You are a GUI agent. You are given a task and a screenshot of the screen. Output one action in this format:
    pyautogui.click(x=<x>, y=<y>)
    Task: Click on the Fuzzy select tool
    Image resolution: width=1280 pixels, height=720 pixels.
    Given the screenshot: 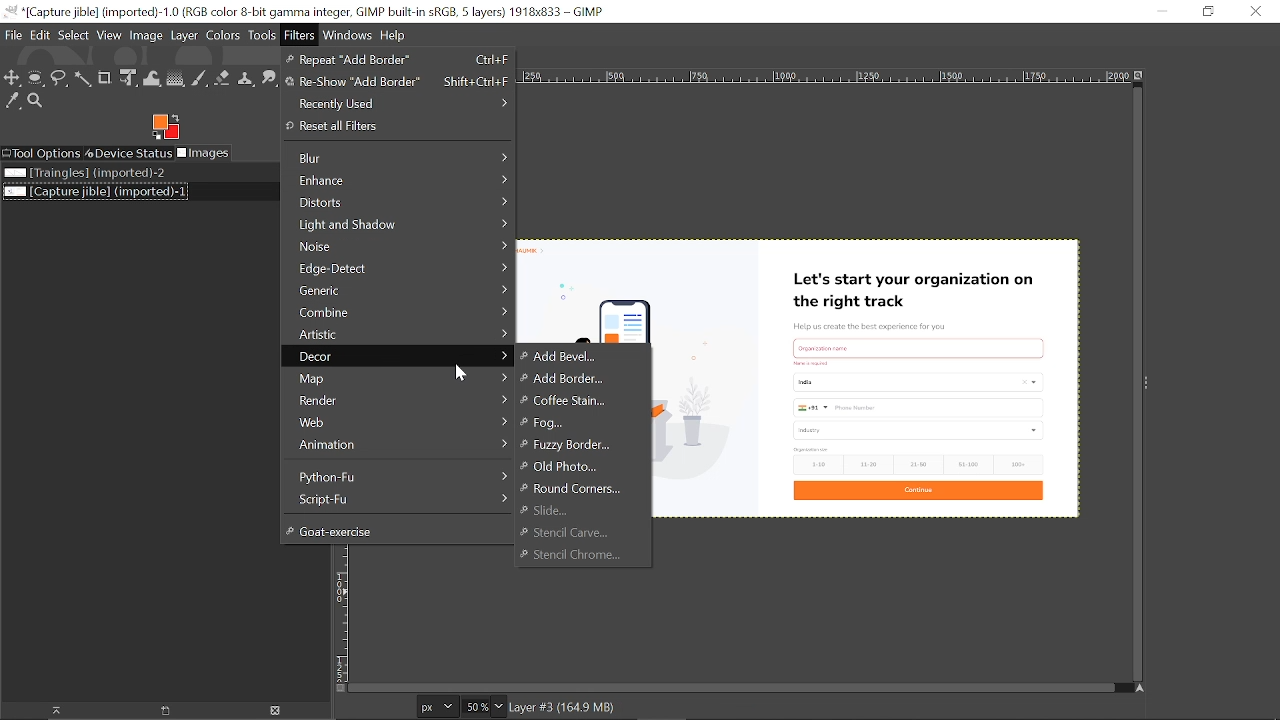 What is the action you would take?
    pyautogui.click(x=82, y=79)
    